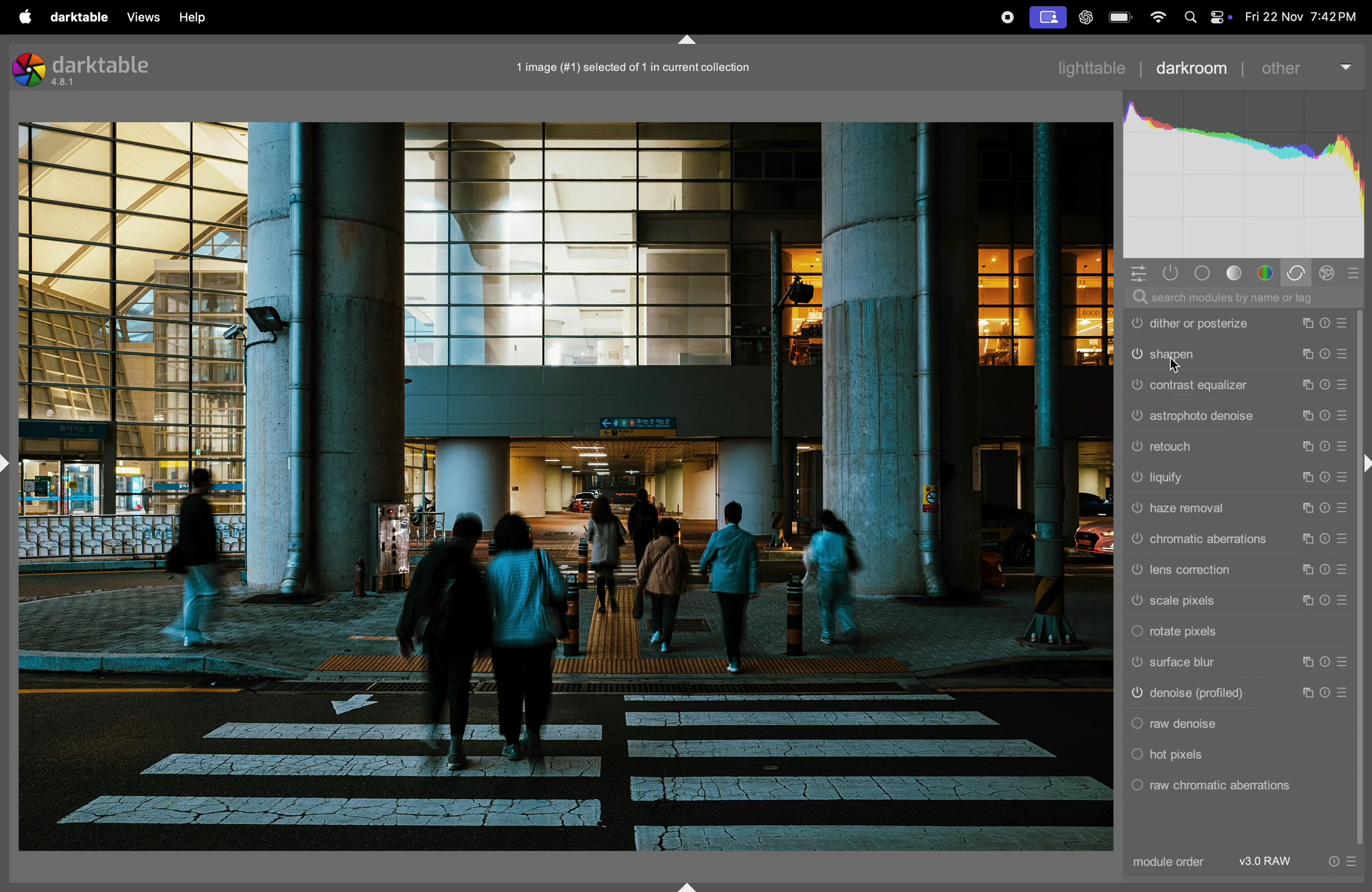 The image size is (1372, 892). What do you see at coordinates (1171, 861) in the screenshot?
I see `module order` at bounding box center [1171, 861].